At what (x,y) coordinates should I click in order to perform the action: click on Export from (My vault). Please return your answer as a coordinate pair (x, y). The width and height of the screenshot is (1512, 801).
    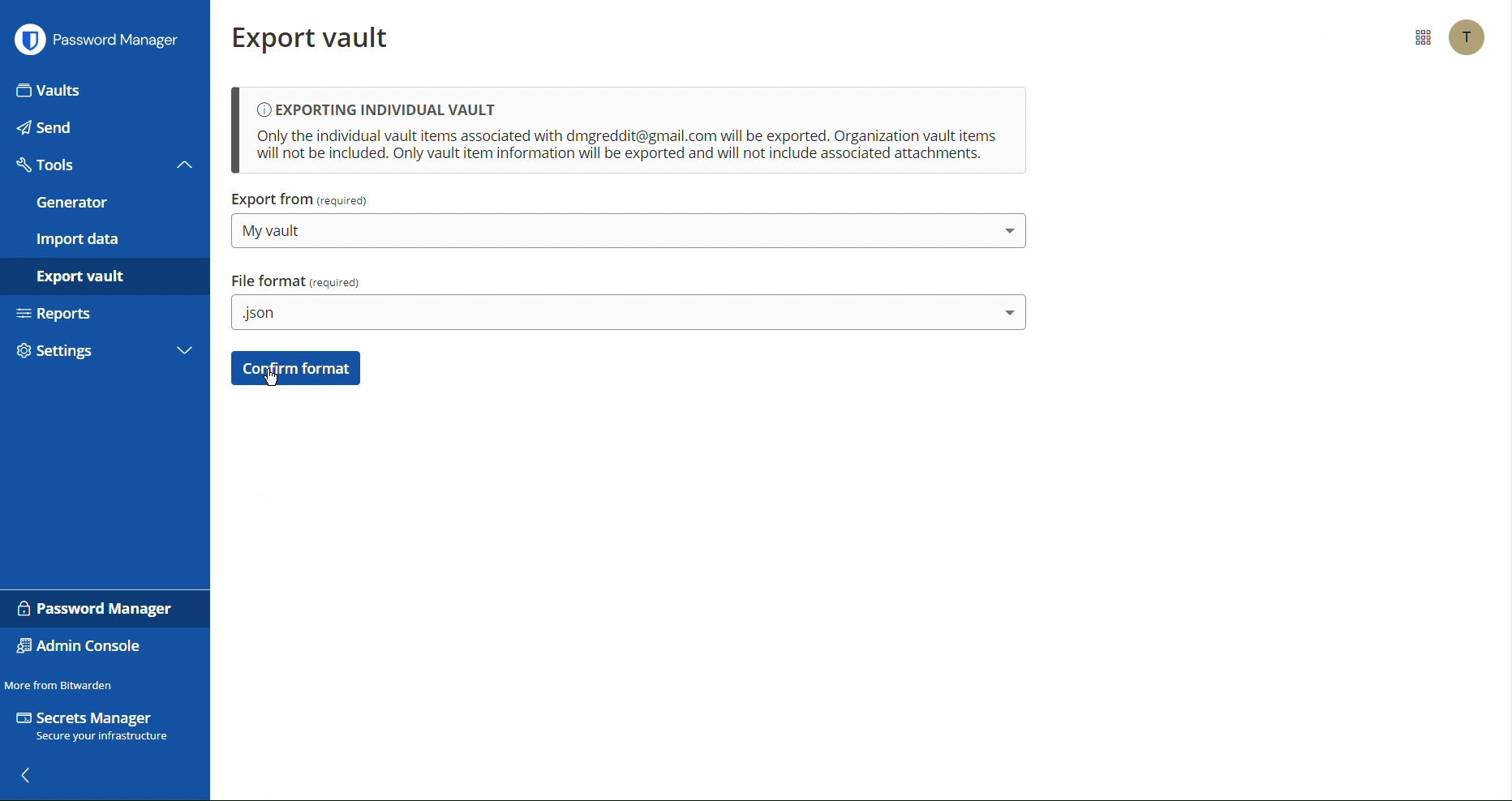
    Looking at the image, I should click on (303, 201).